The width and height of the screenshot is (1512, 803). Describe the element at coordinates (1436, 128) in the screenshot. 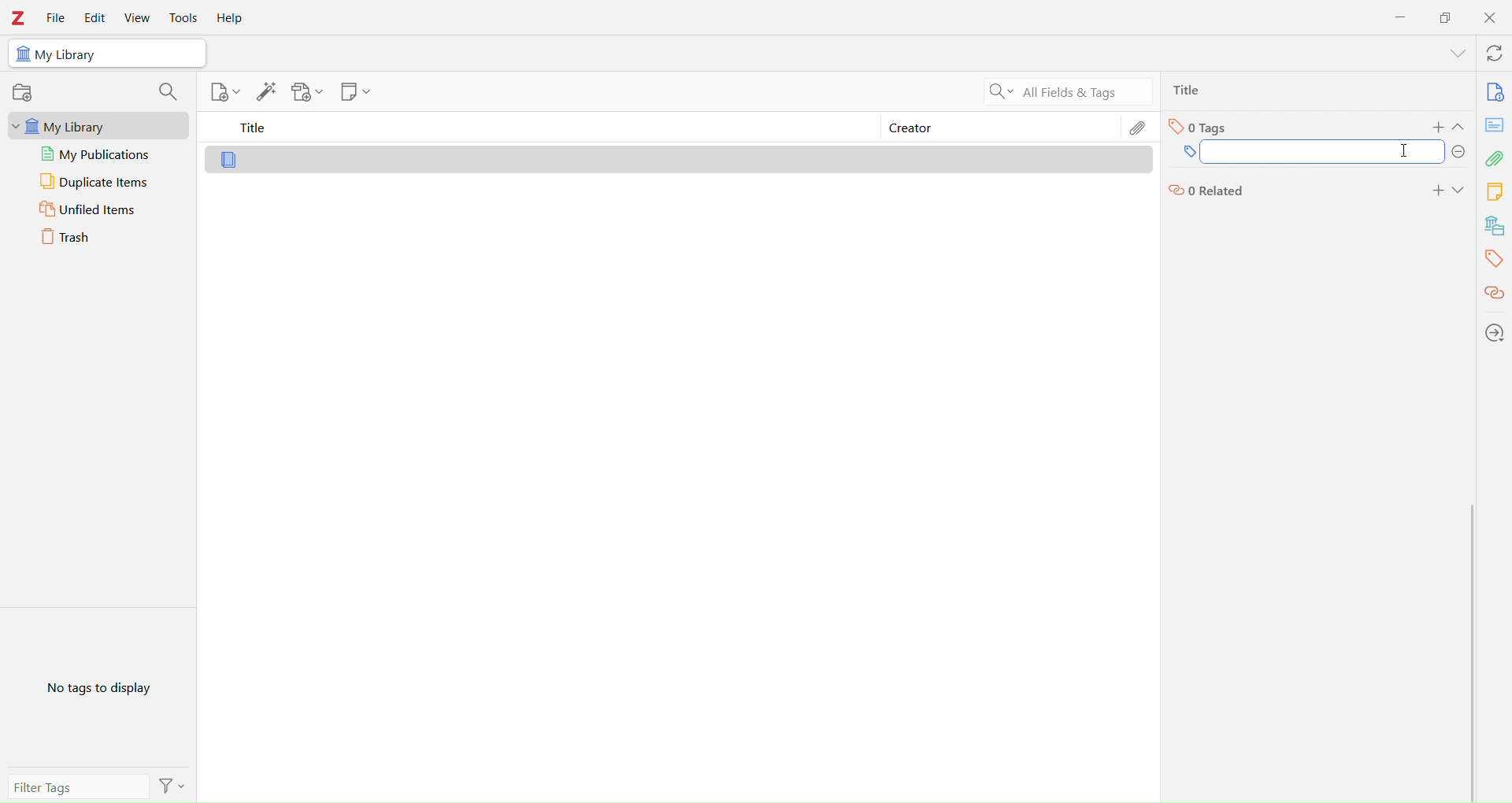

I see `` at that location.